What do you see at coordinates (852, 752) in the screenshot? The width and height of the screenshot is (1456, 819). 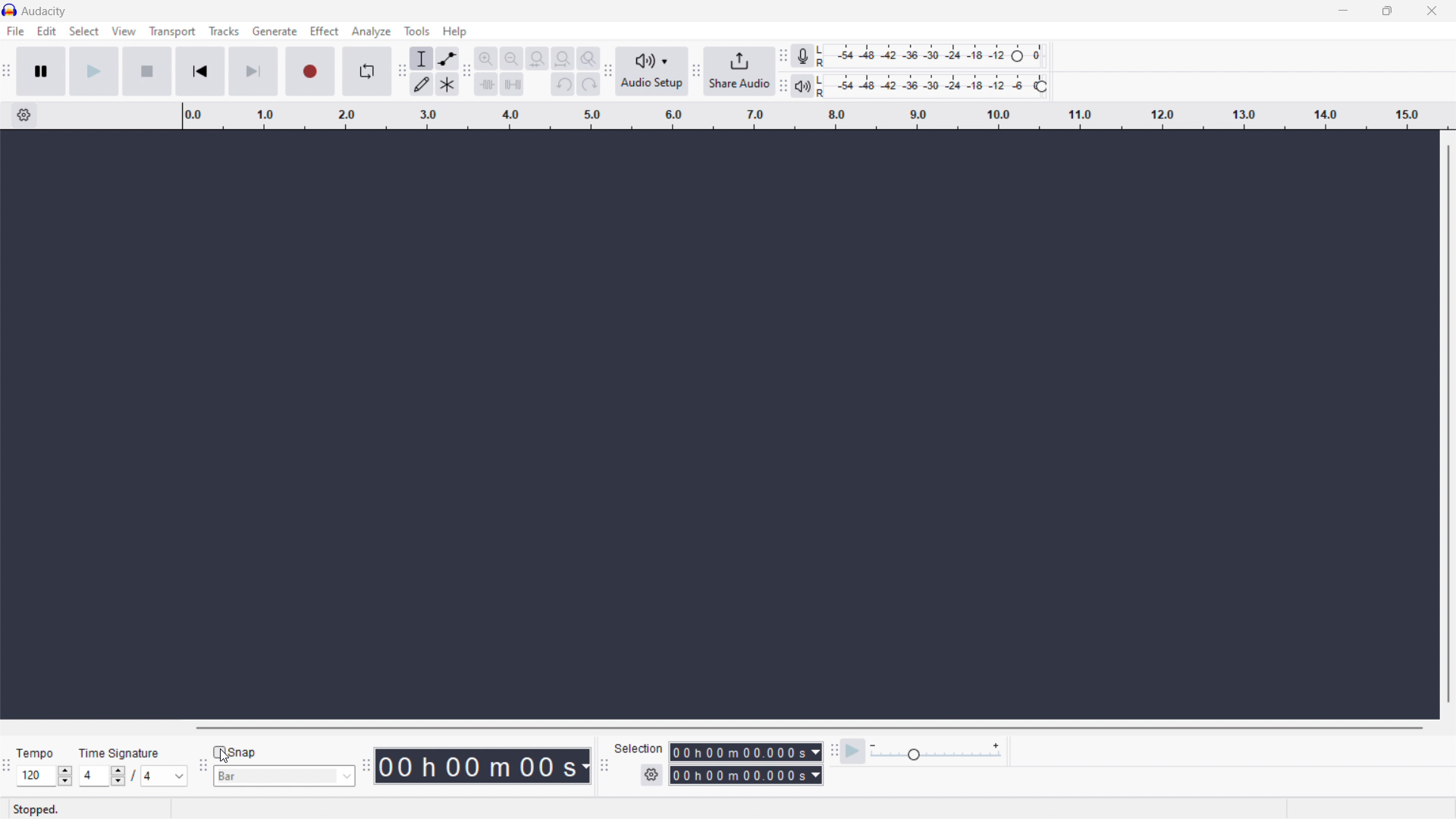 I see `play at speed` at bounding box center [852, 752].